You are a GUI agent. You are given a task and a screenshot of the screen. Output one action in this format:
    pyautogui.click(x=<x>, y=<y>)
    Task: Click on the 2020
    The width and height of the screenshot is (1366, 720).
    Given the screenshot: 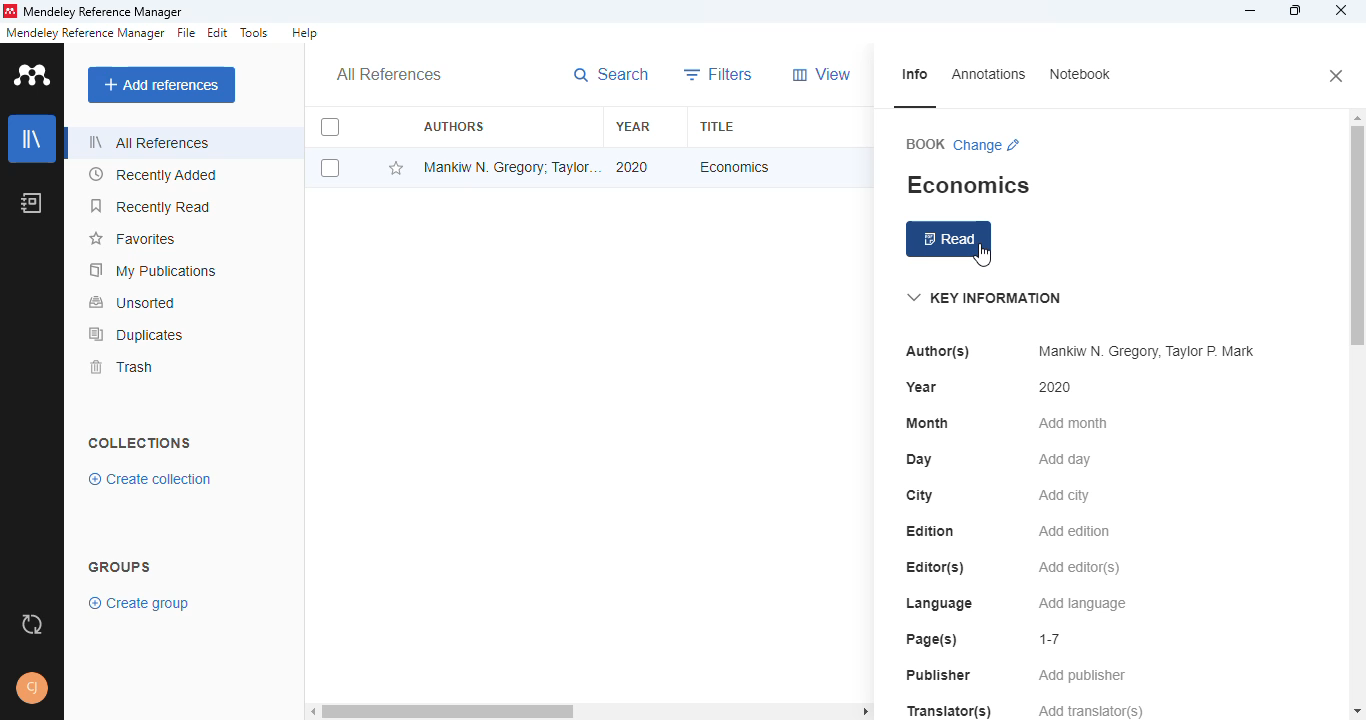 What is the action you would take?
    pyautogui.click(x=632, y=166)
    